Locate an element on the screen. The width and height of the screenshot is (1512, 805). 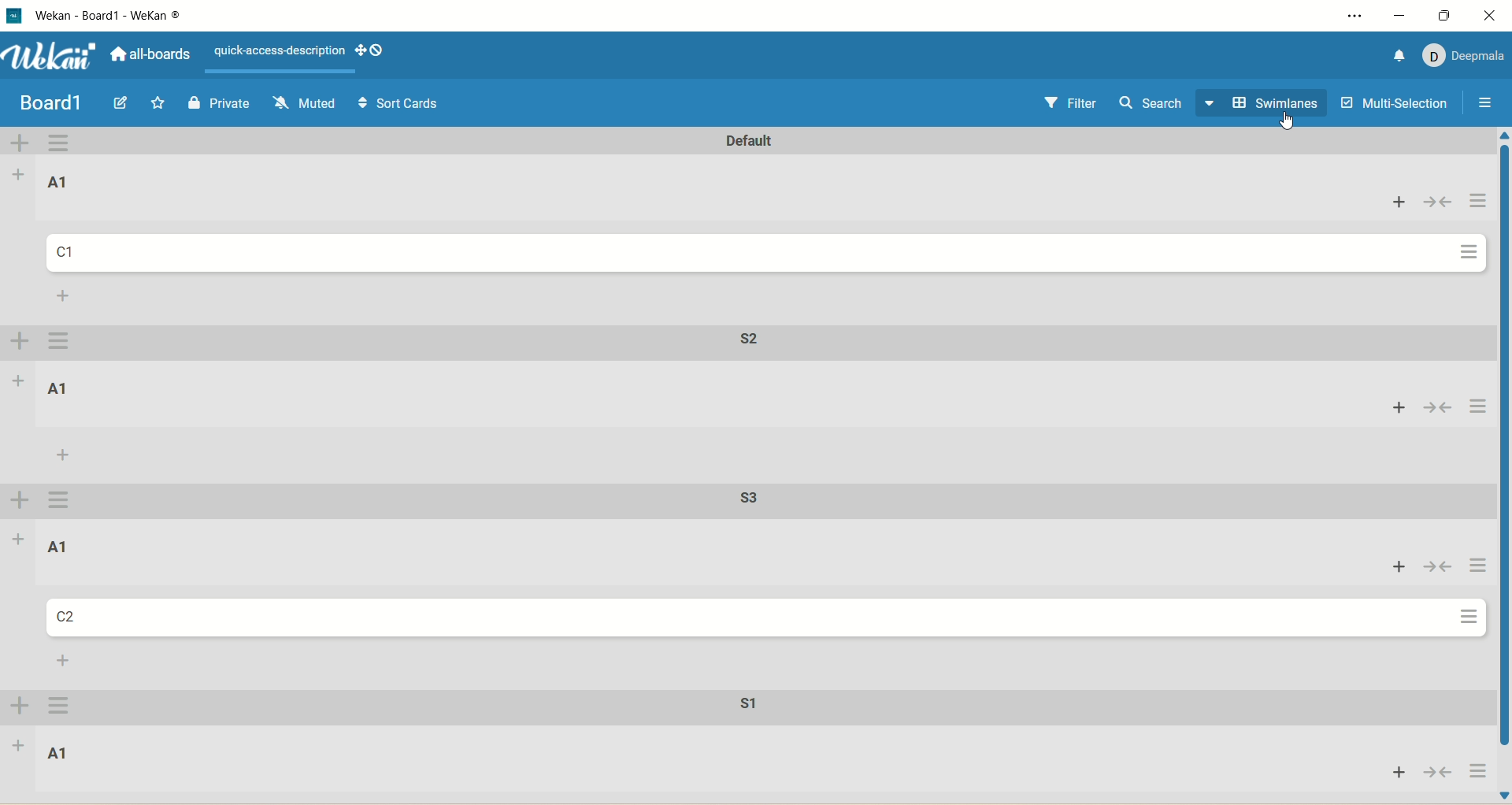
text is located at coordinates (276, 52).